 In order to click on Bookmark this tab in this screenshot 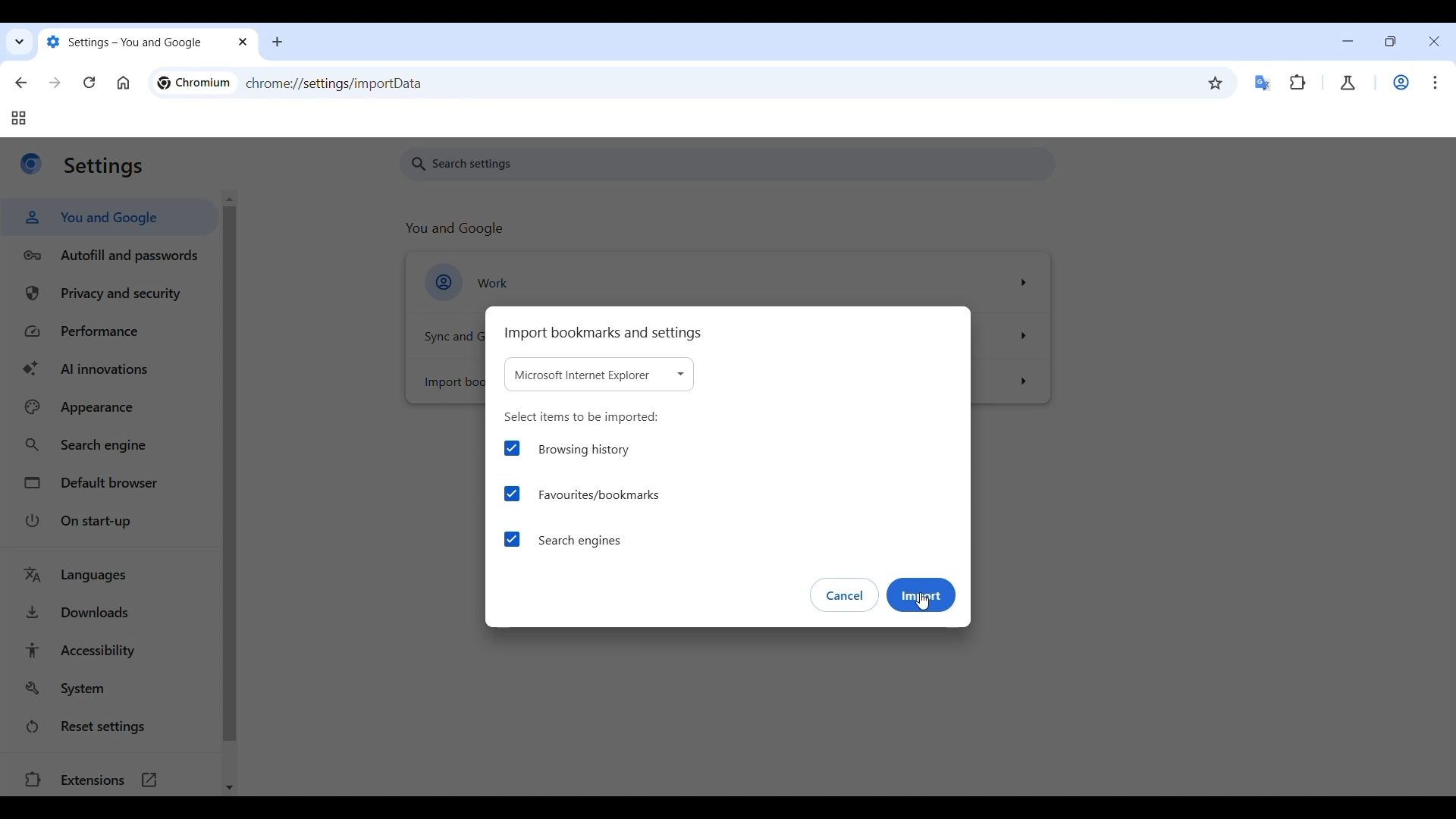, I will do `click(1216, 83)`.